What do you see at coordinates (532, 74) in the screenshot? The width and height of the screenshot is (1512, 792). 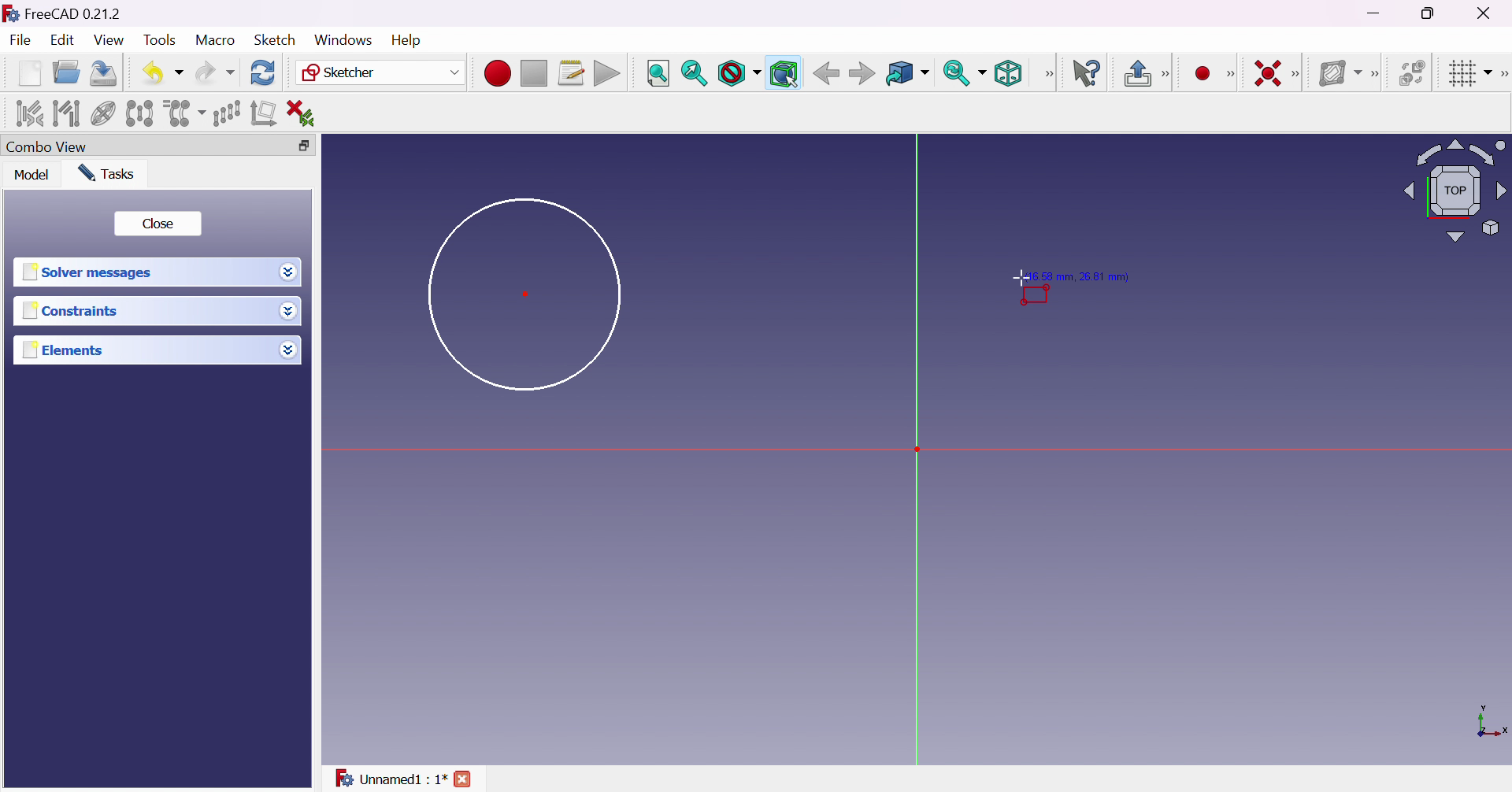 I see `Stop macro recording` at bounding box center [532, 74].